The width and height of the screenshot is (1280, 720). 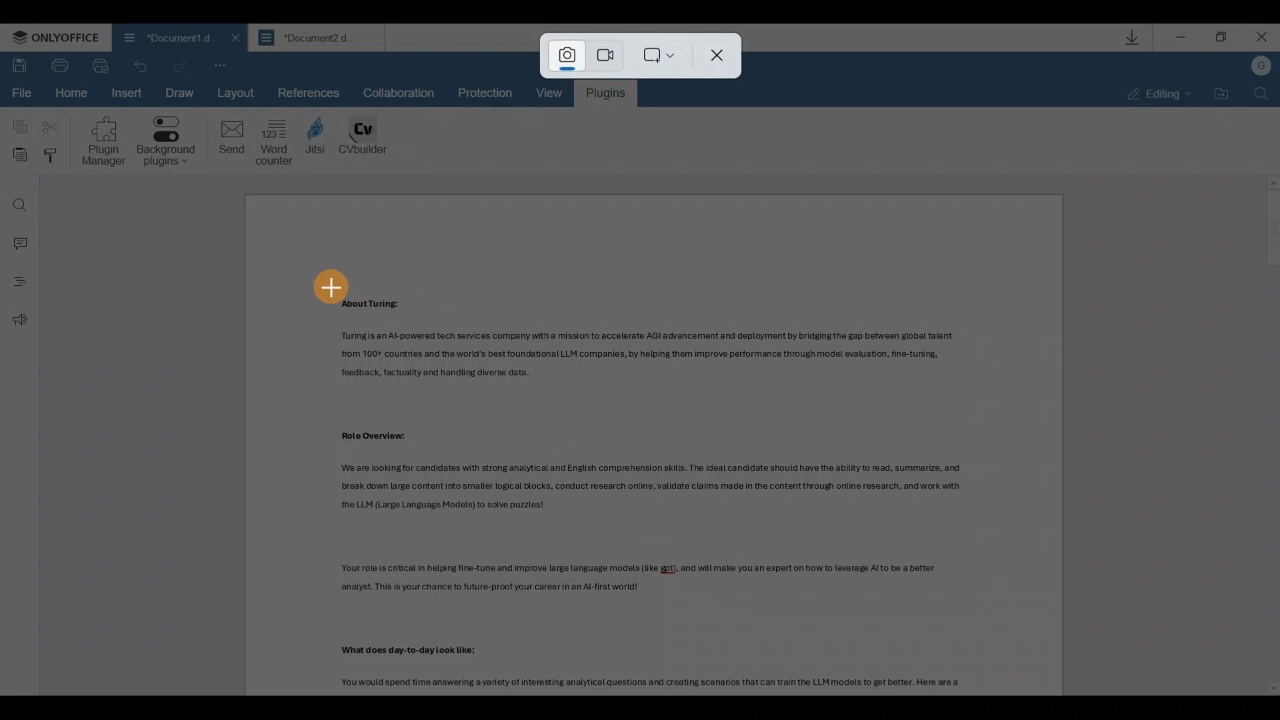 I want to click on Protection, so click(x=492, y=93).